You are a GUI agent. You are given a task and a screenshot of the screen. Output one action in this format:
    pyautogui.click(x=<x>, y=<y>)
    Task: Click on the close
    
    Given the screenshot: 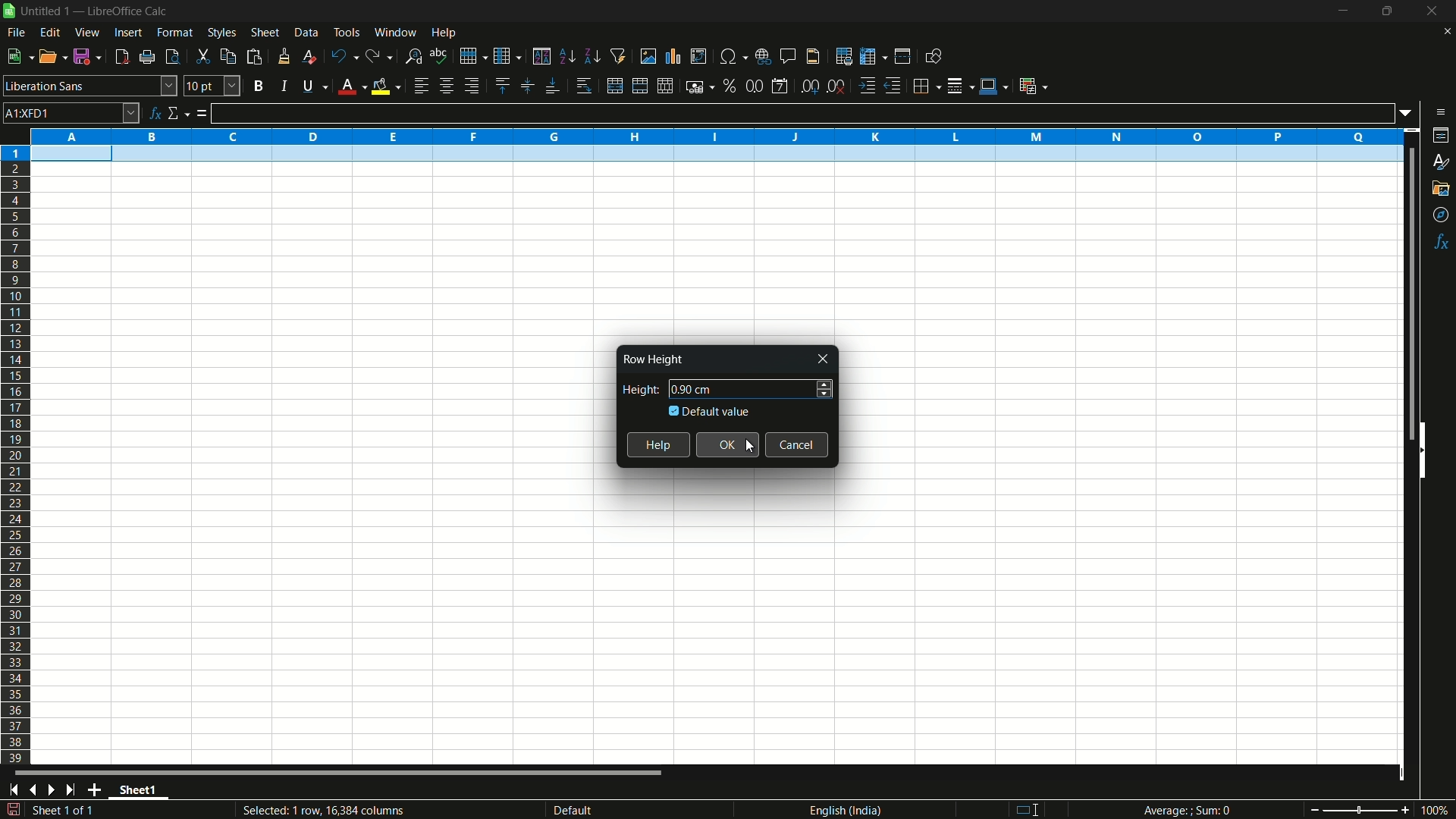 What is the action you would take?
    pyautogui.click(x=824, y=359)
    